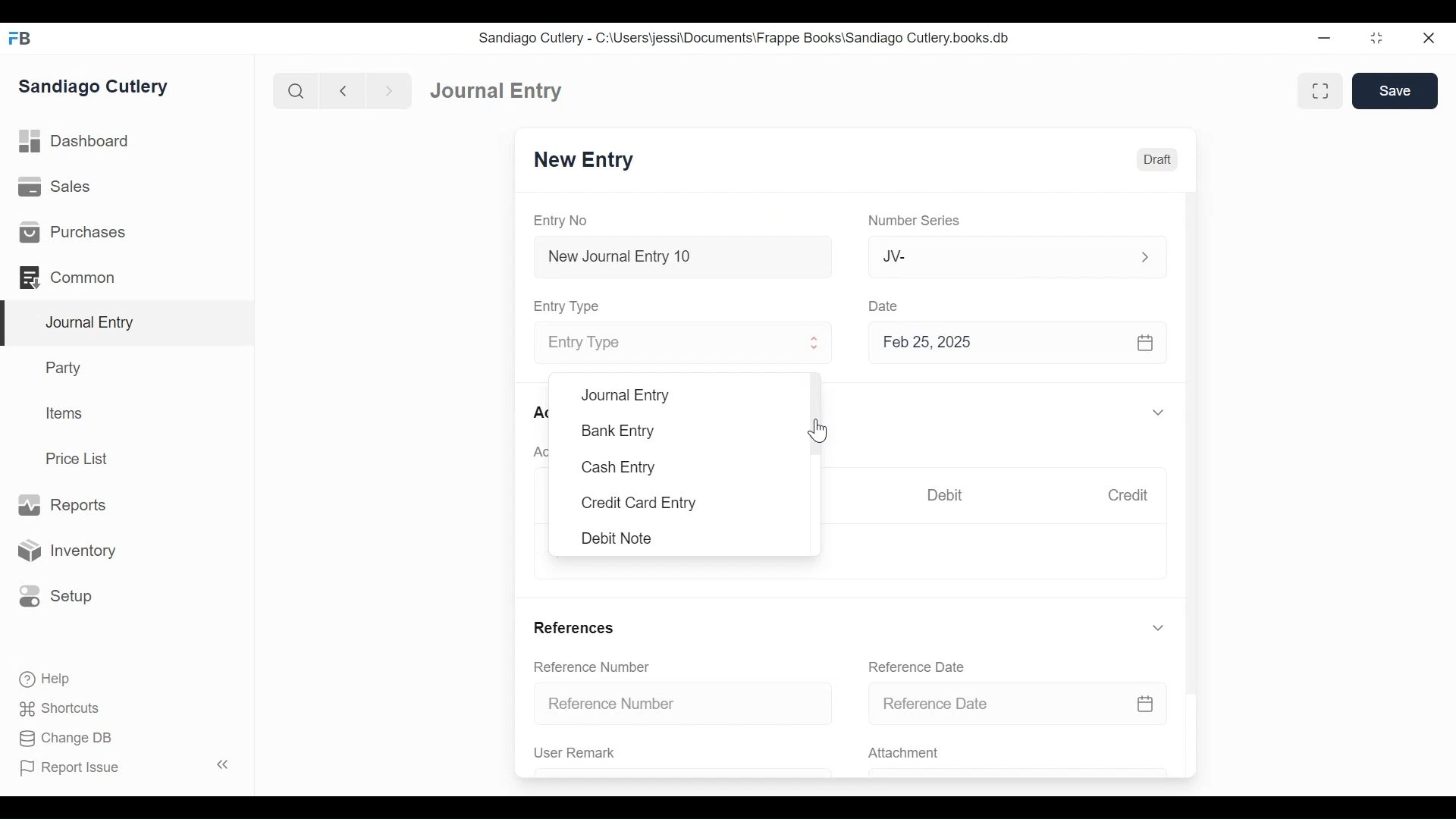 Image resolution: width=1456 pixels, height=819 pixels. I want to click on Number Series, so click(917, 221).